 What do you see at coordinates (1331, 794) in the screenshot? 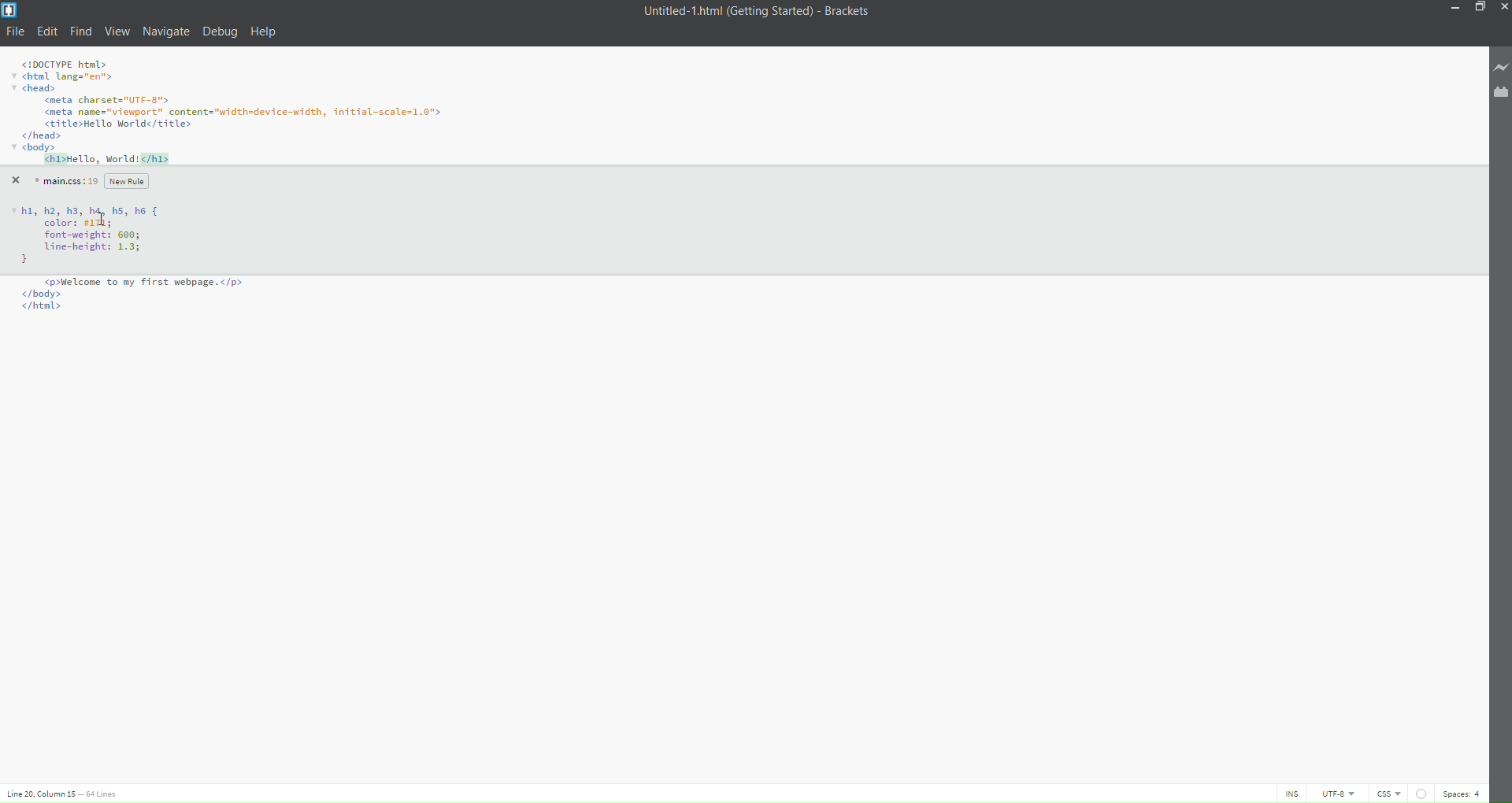
I see `utf-8` at bounding box center [1331, 794].